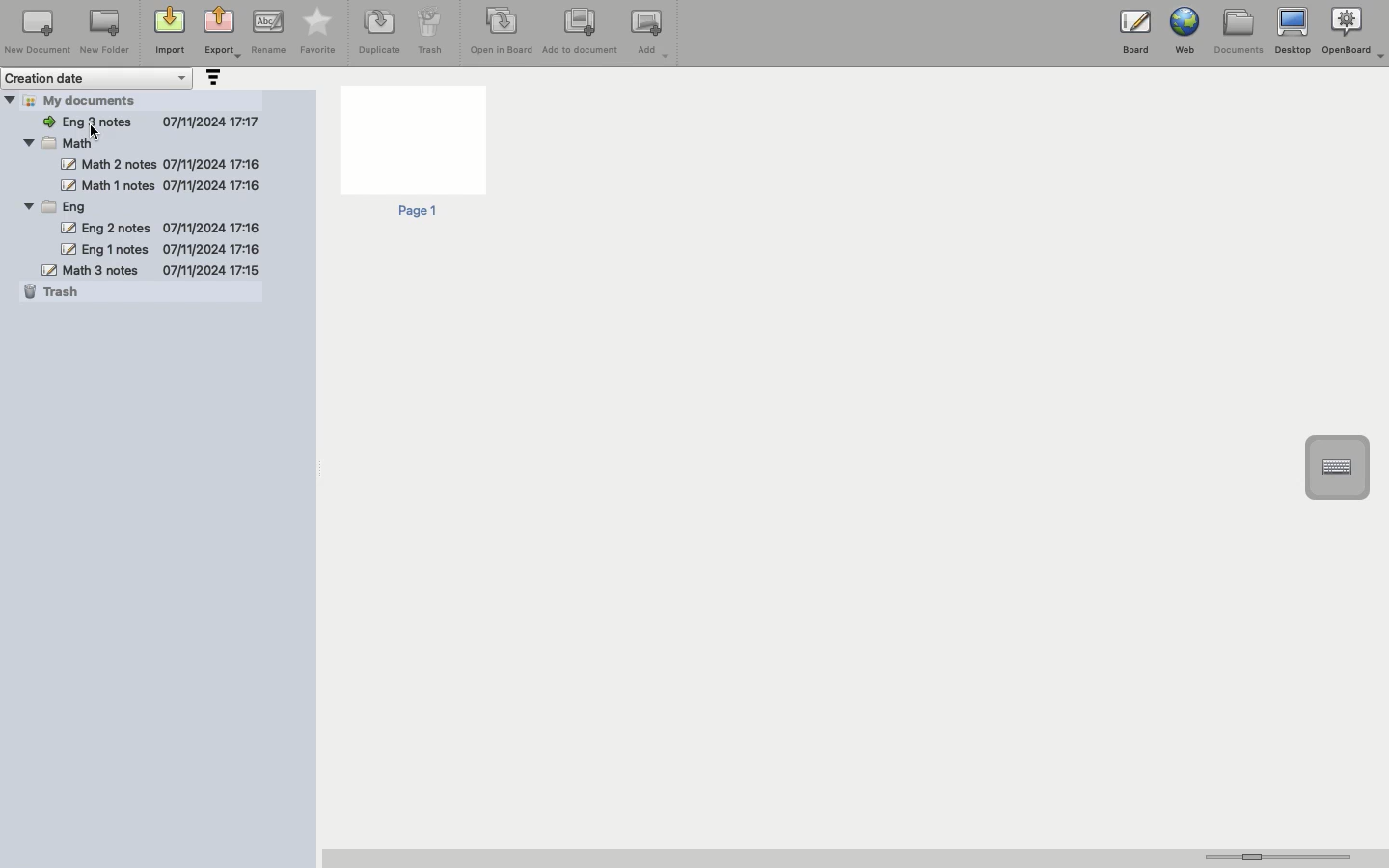 This screenshot has height=868, width=1389. I want to click on Eng 3 notes, so click(150, 119).